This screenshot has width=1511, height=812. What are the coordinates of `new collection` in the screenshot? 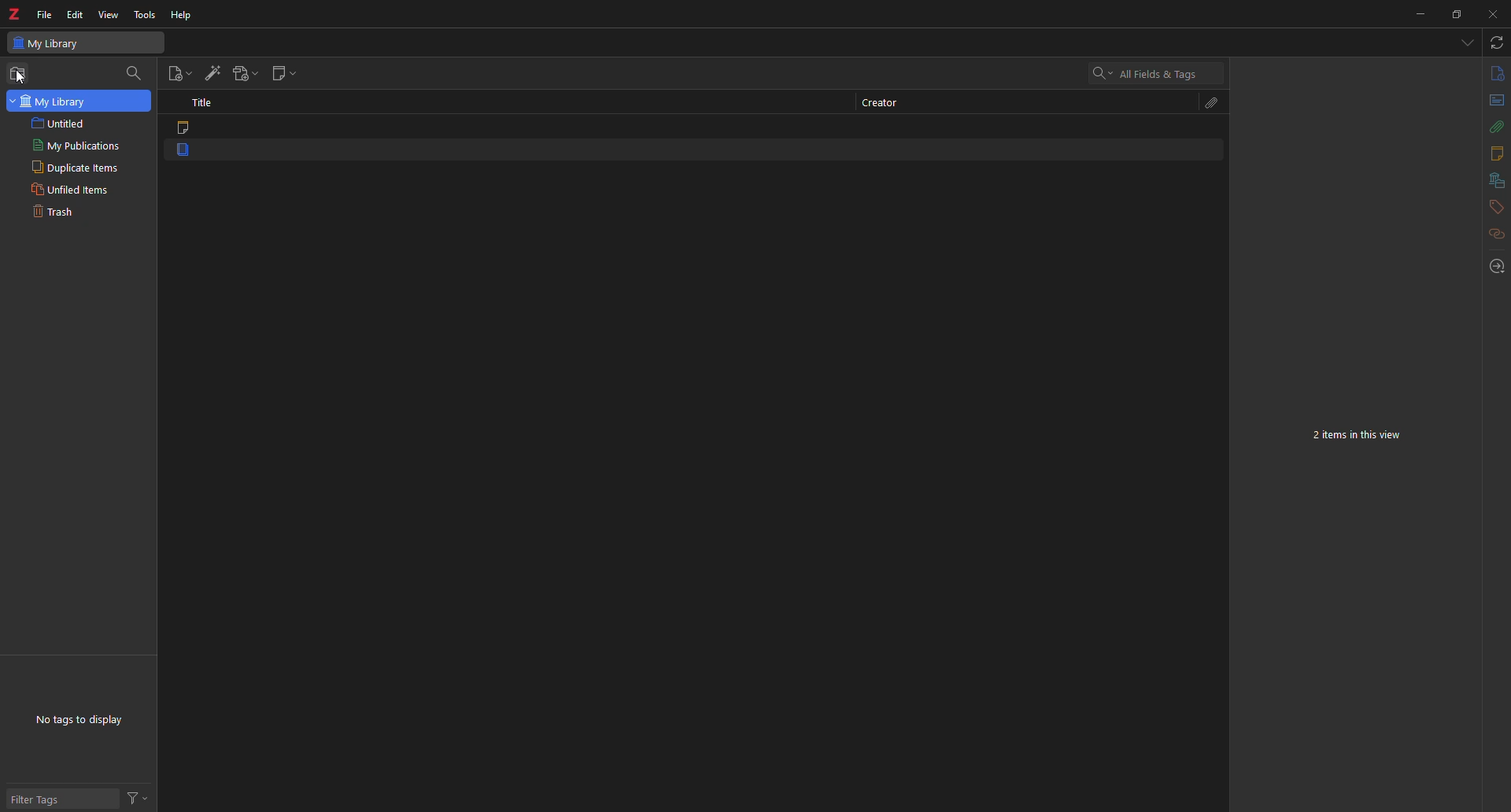 It's located at (20, 73).